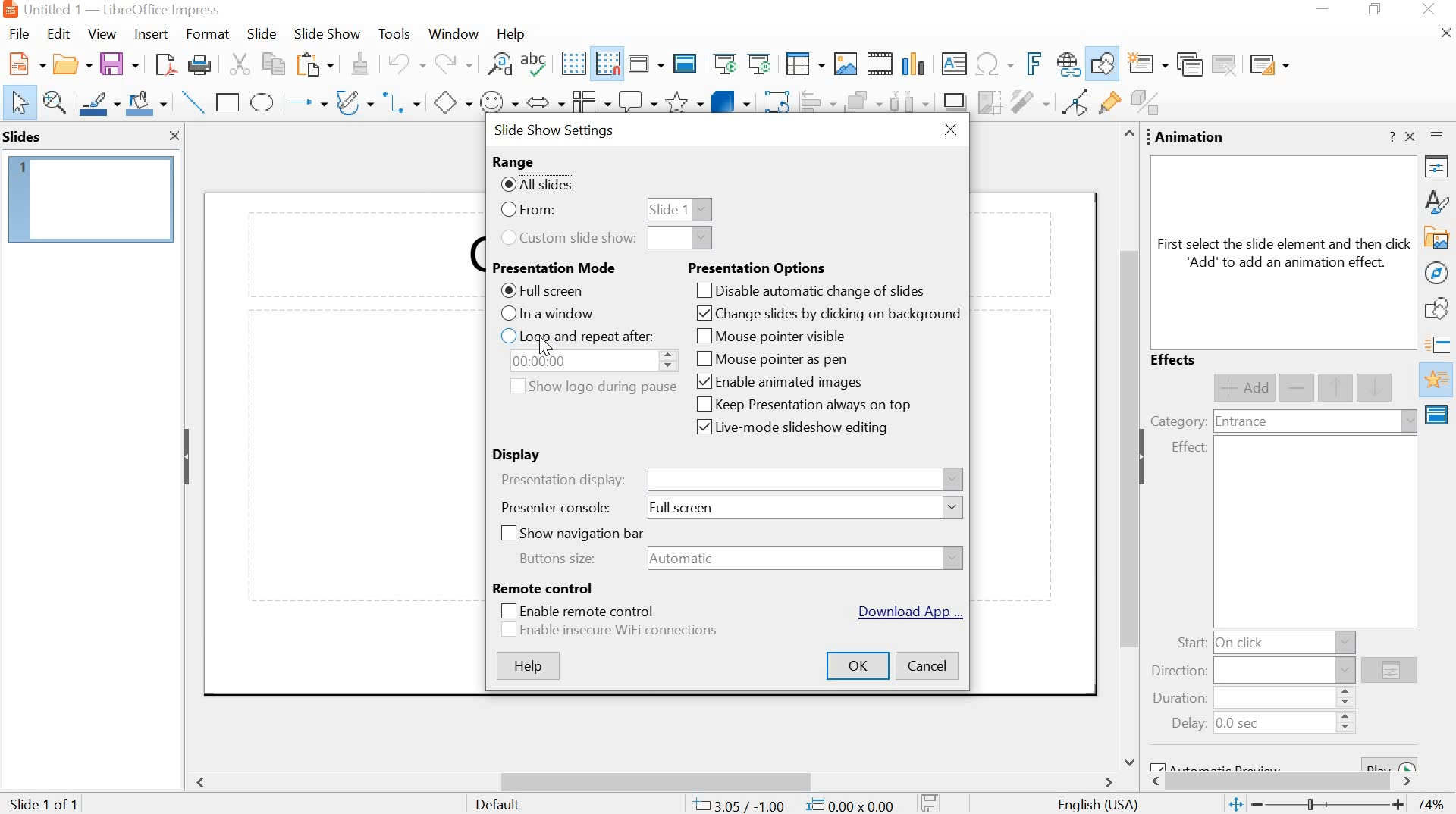  Describe the element at coordinates (950, 131) in the screenshot. I see `close window` at that location.